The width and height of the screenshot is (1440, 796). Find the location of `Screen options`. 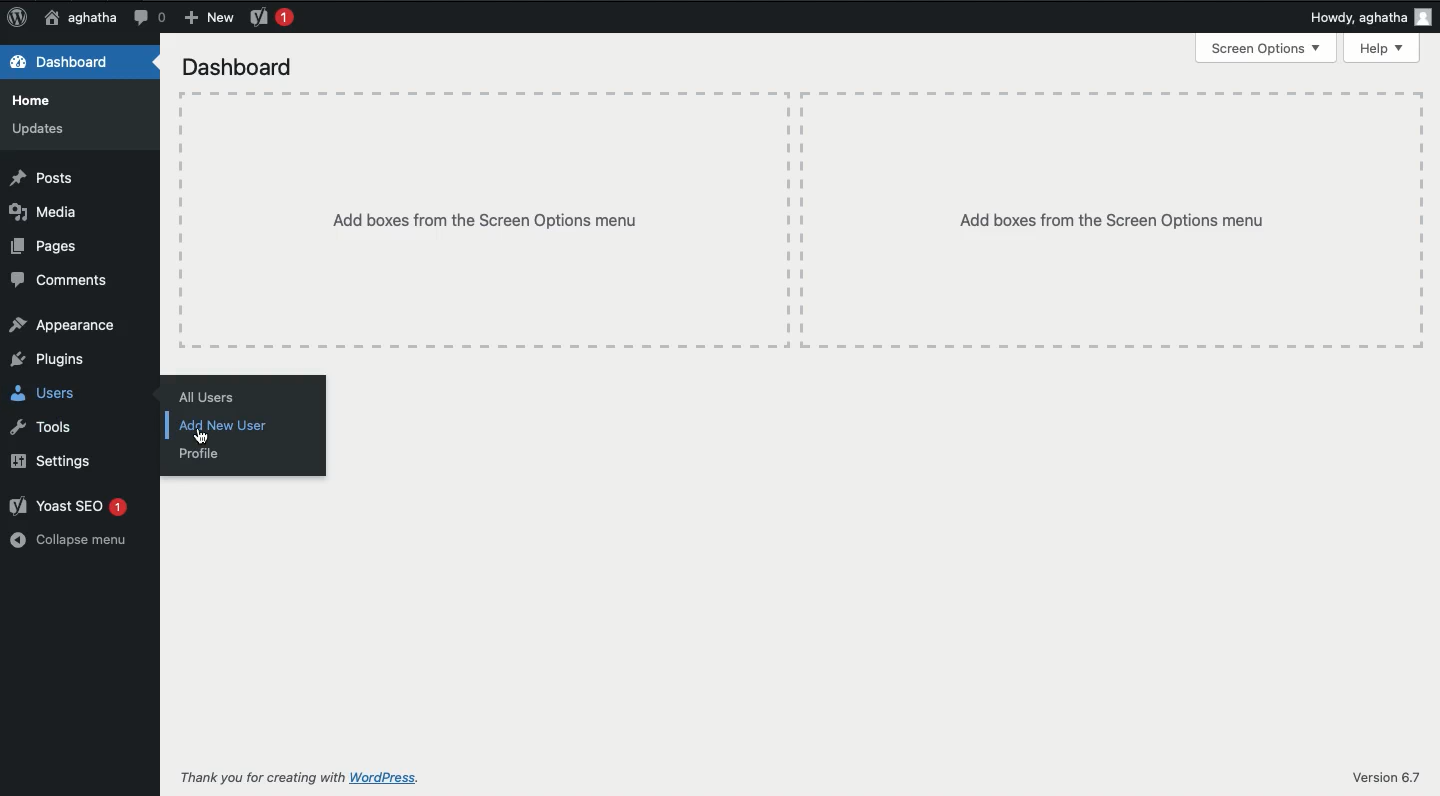

Screen options is located at coordinates (1267, 48).